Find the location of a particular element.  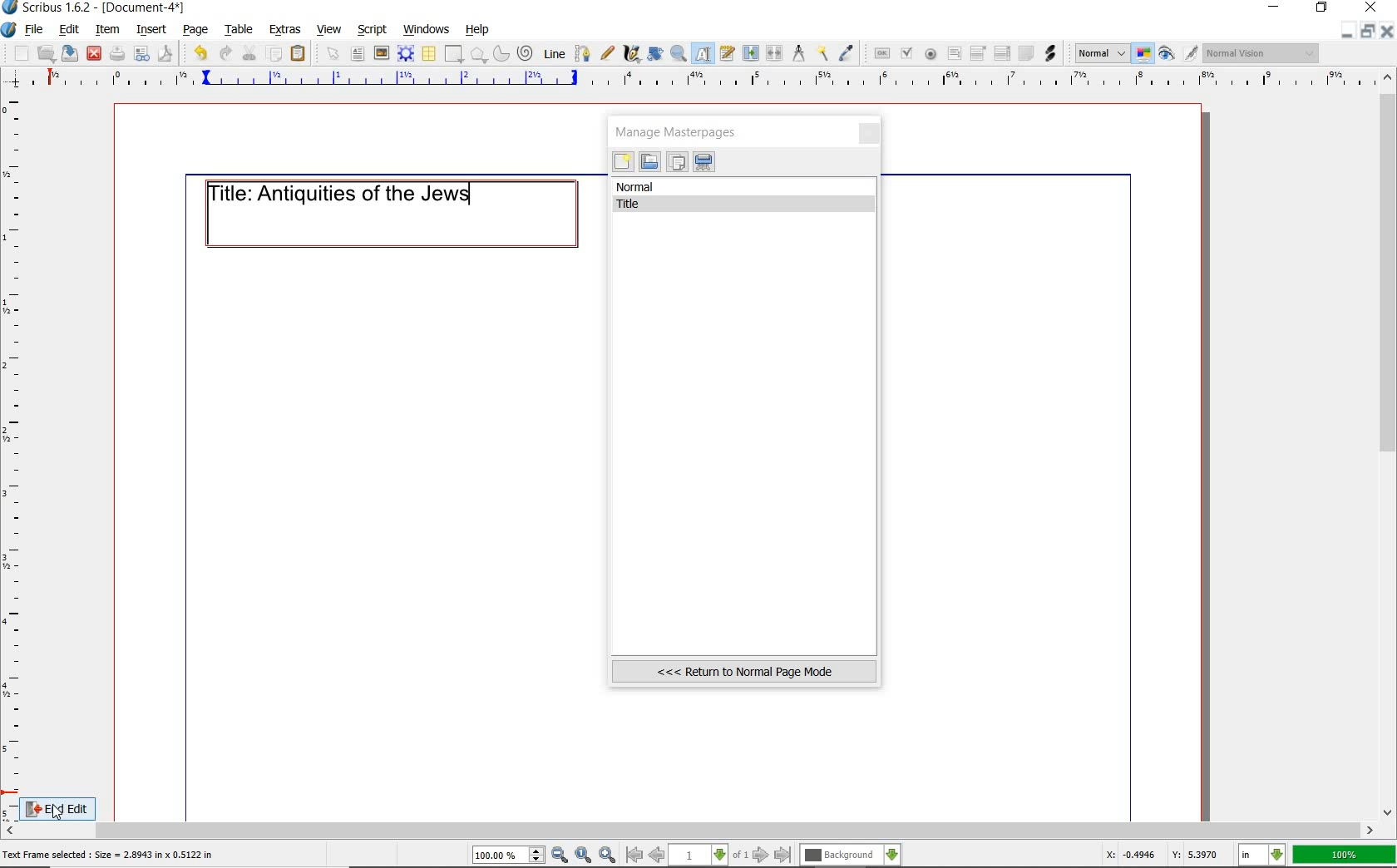

image frame is located at coordinates (382, 53).